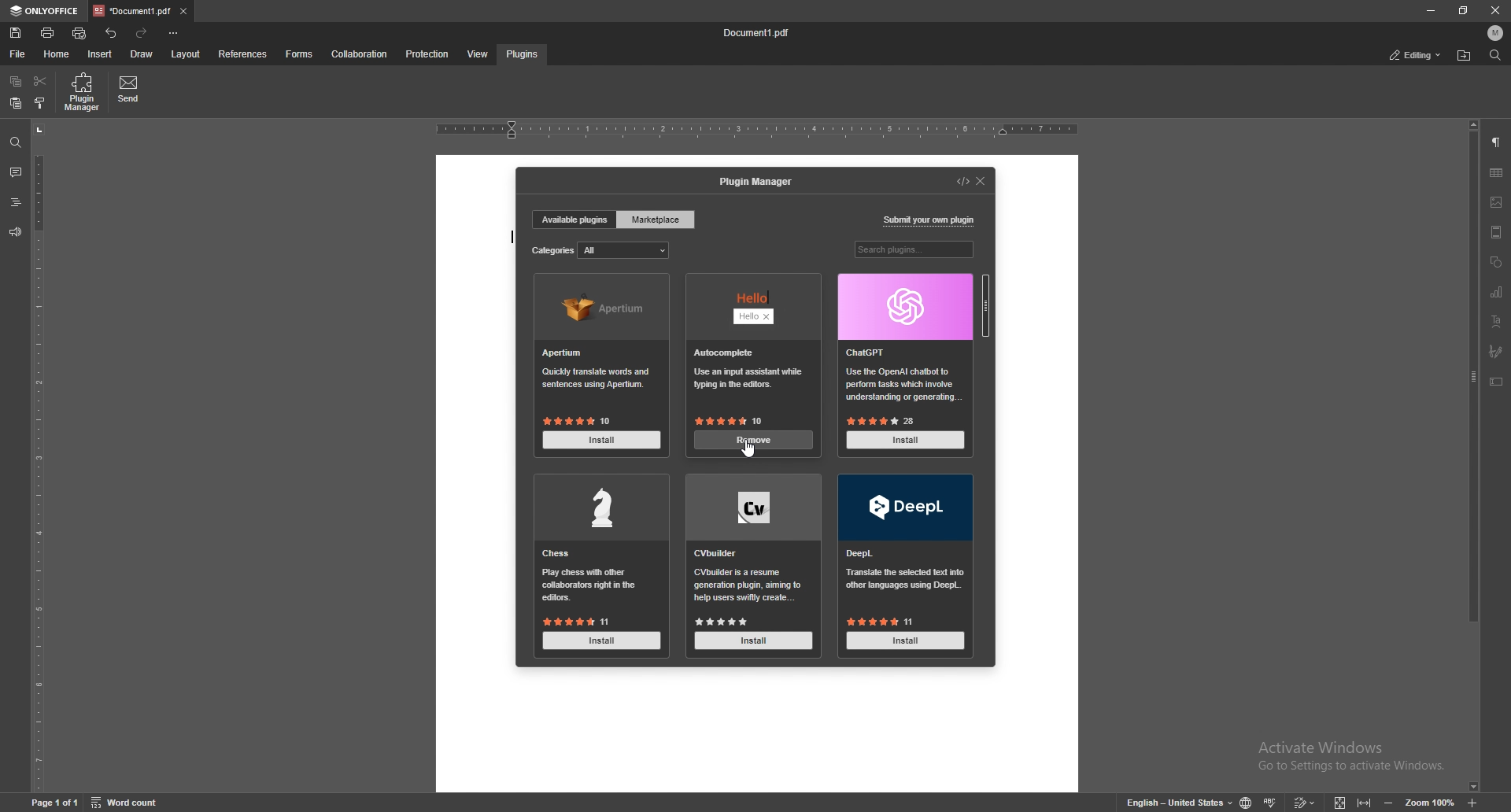 The width and height of the screenshot is (1511, 812). I want to click on hello, so click(756, 349).